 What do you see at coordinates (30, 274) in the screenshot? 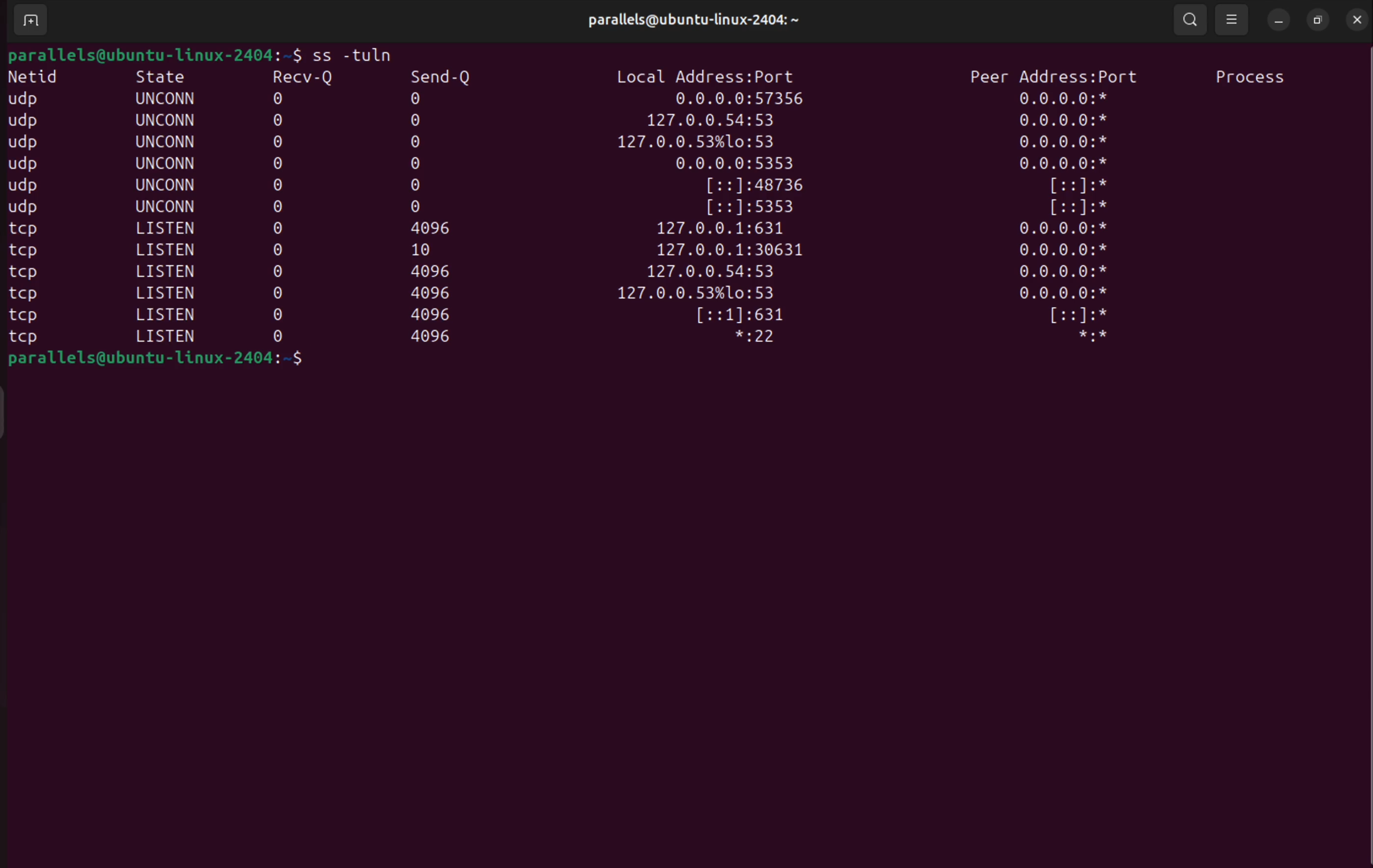
I see `tcp` at bounding box center [30, 274].